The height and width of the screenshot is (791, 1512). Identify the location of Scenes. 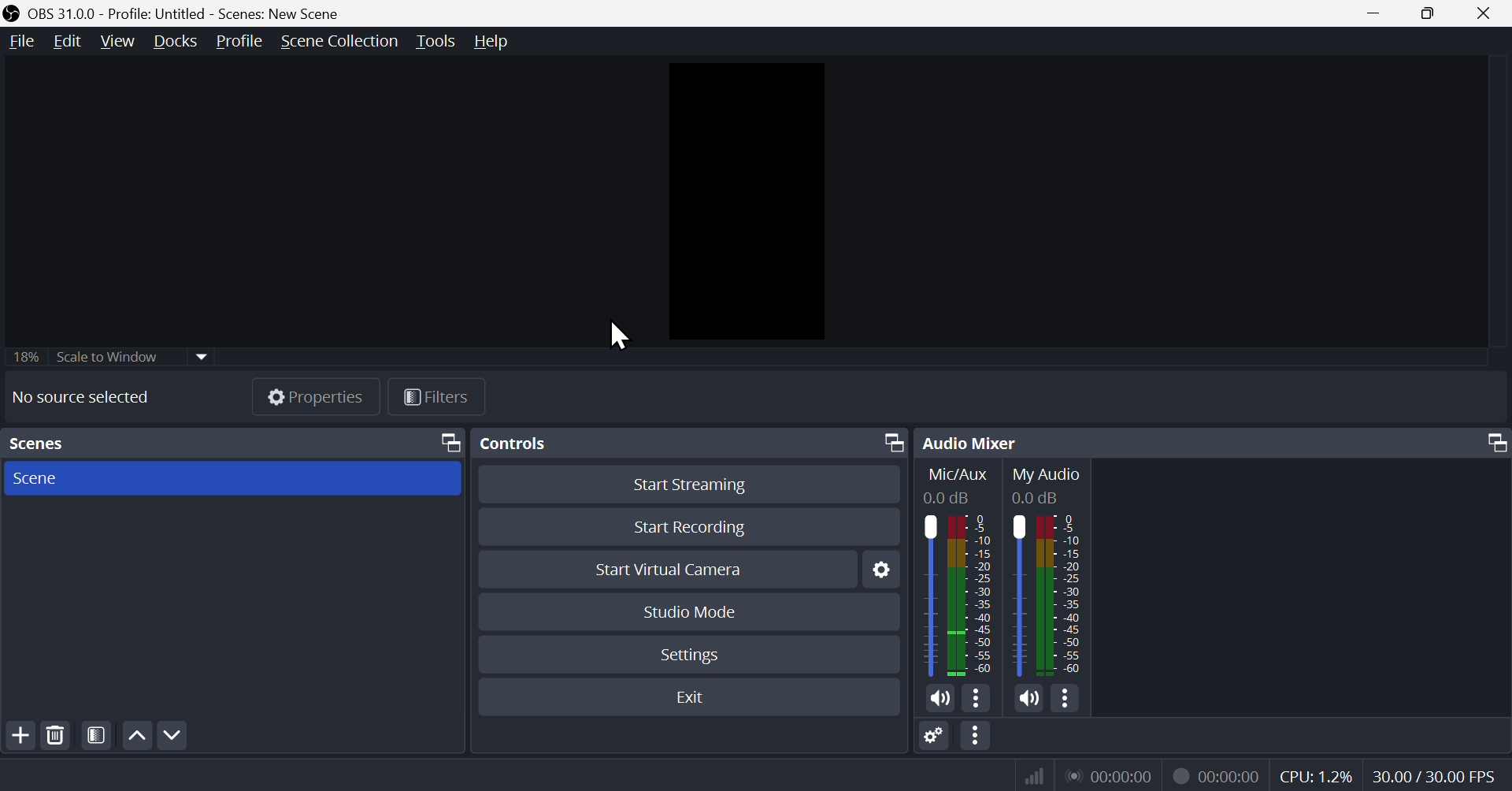
(58, 443).